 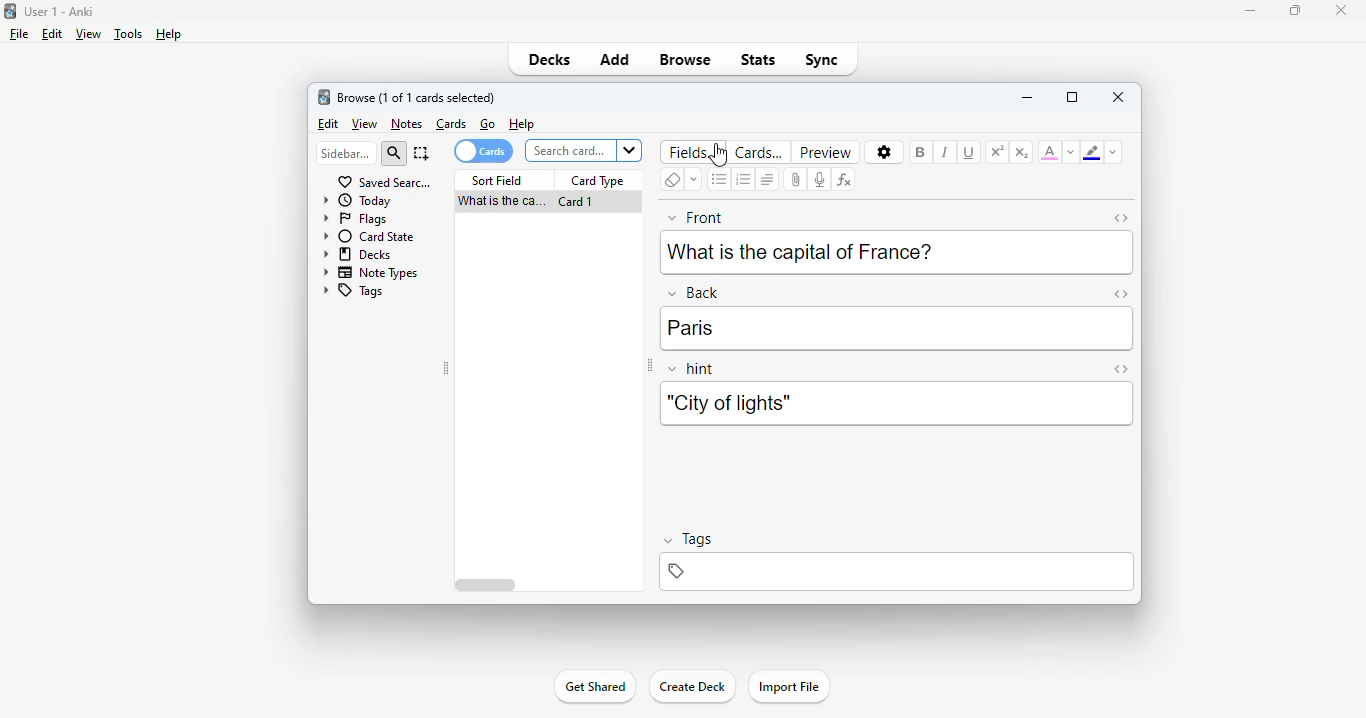 I want to click on stats, so click(x=759, y=59).